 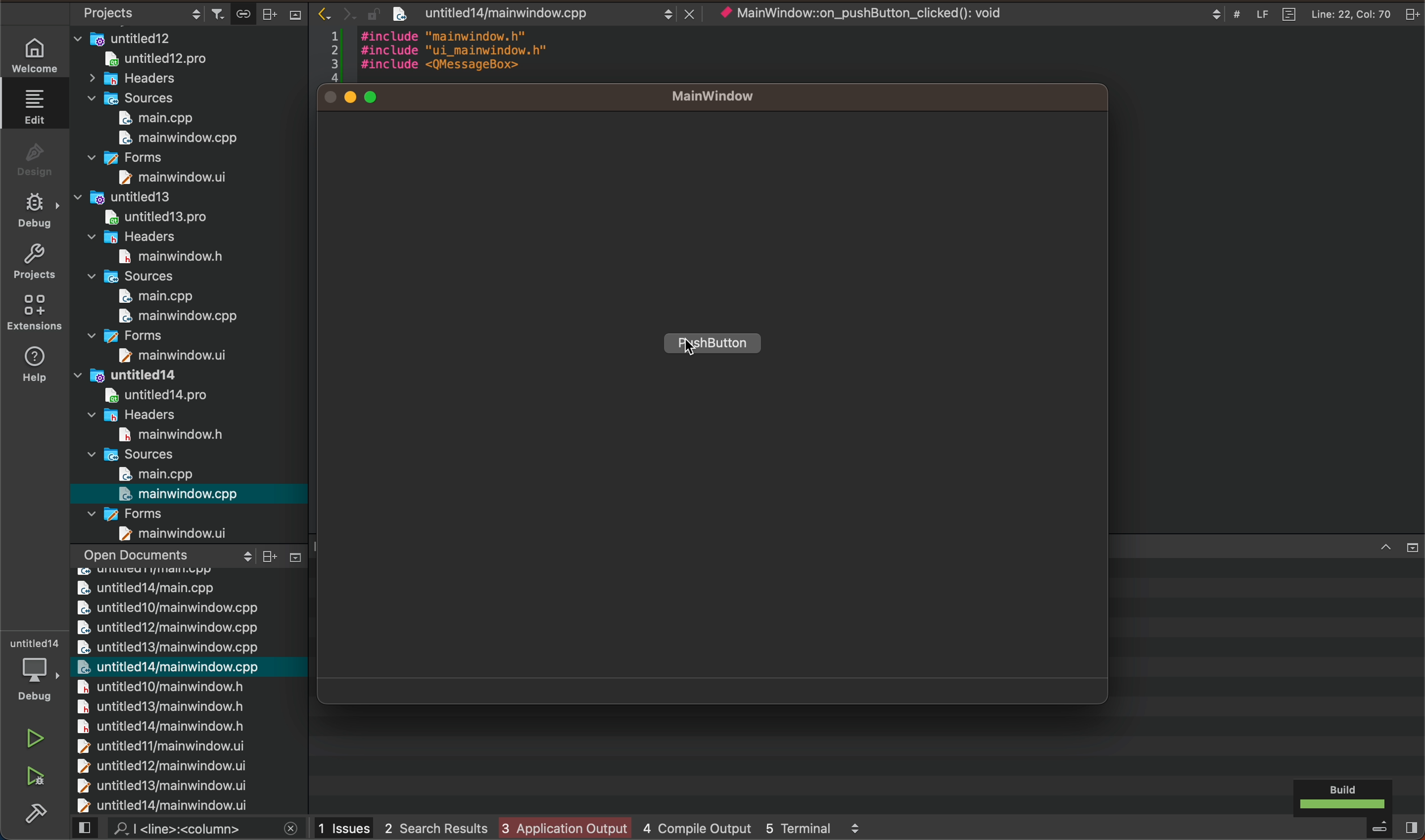 What do you see at coordinates (147, 335) in the screenshot?
I see `forms` at bounding box center [147, 335].